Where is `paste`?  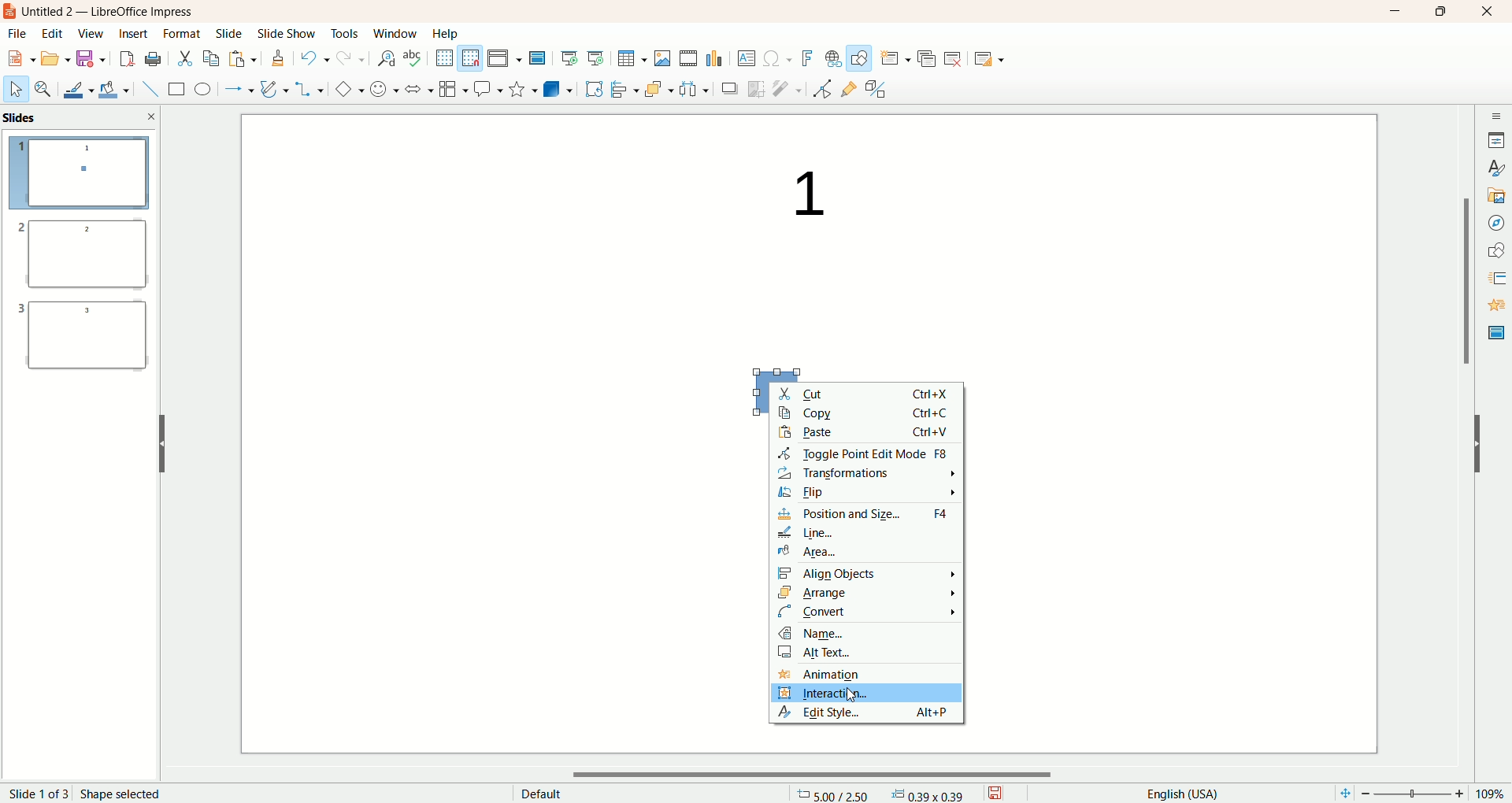
paste is located at coordinates (244, 60).